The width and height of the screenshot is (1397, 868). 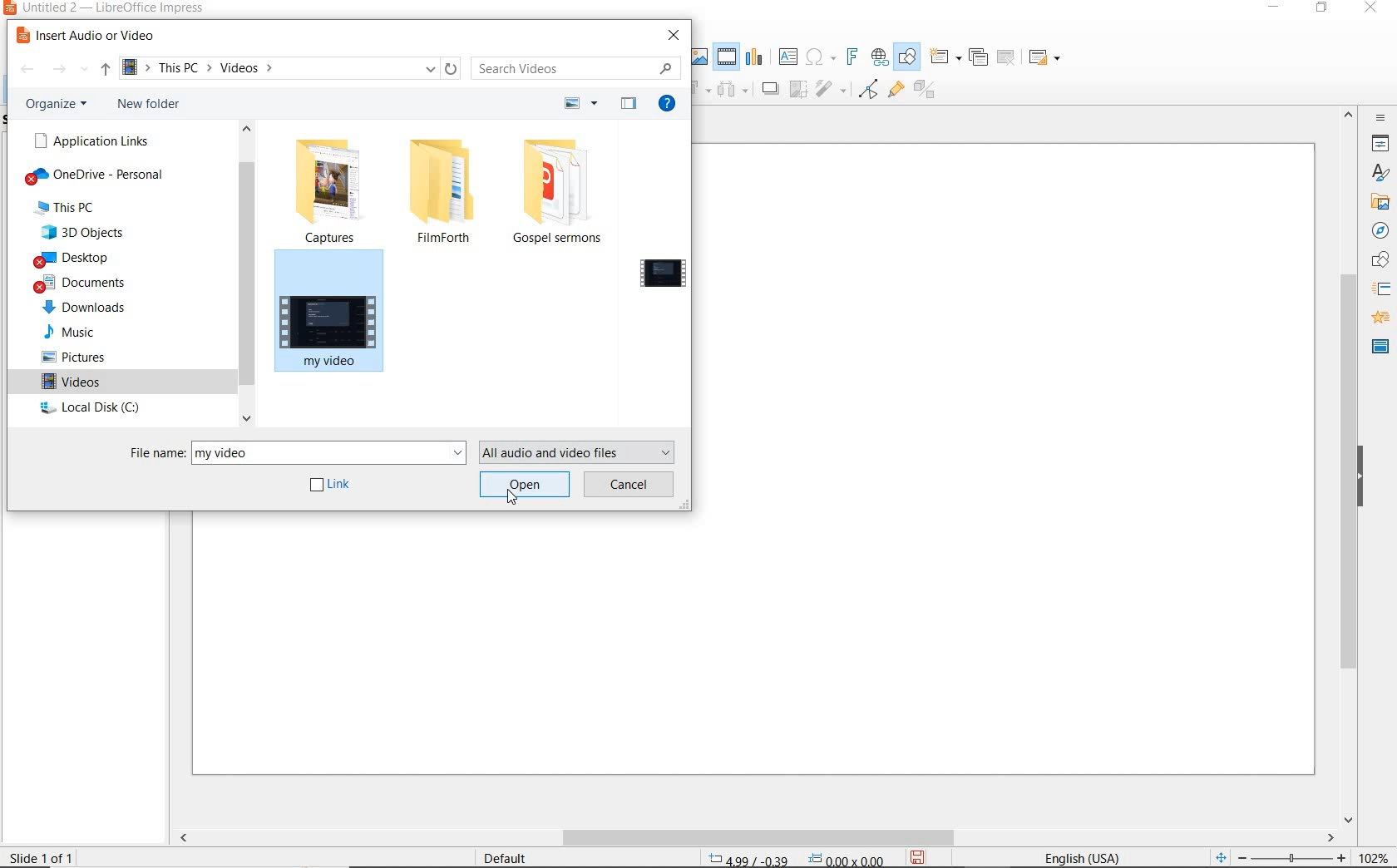 What do you see at coordinates (1347, 466) in the screenshot?
I see `SCROLLBAR` at bounding box center [1347, 466].